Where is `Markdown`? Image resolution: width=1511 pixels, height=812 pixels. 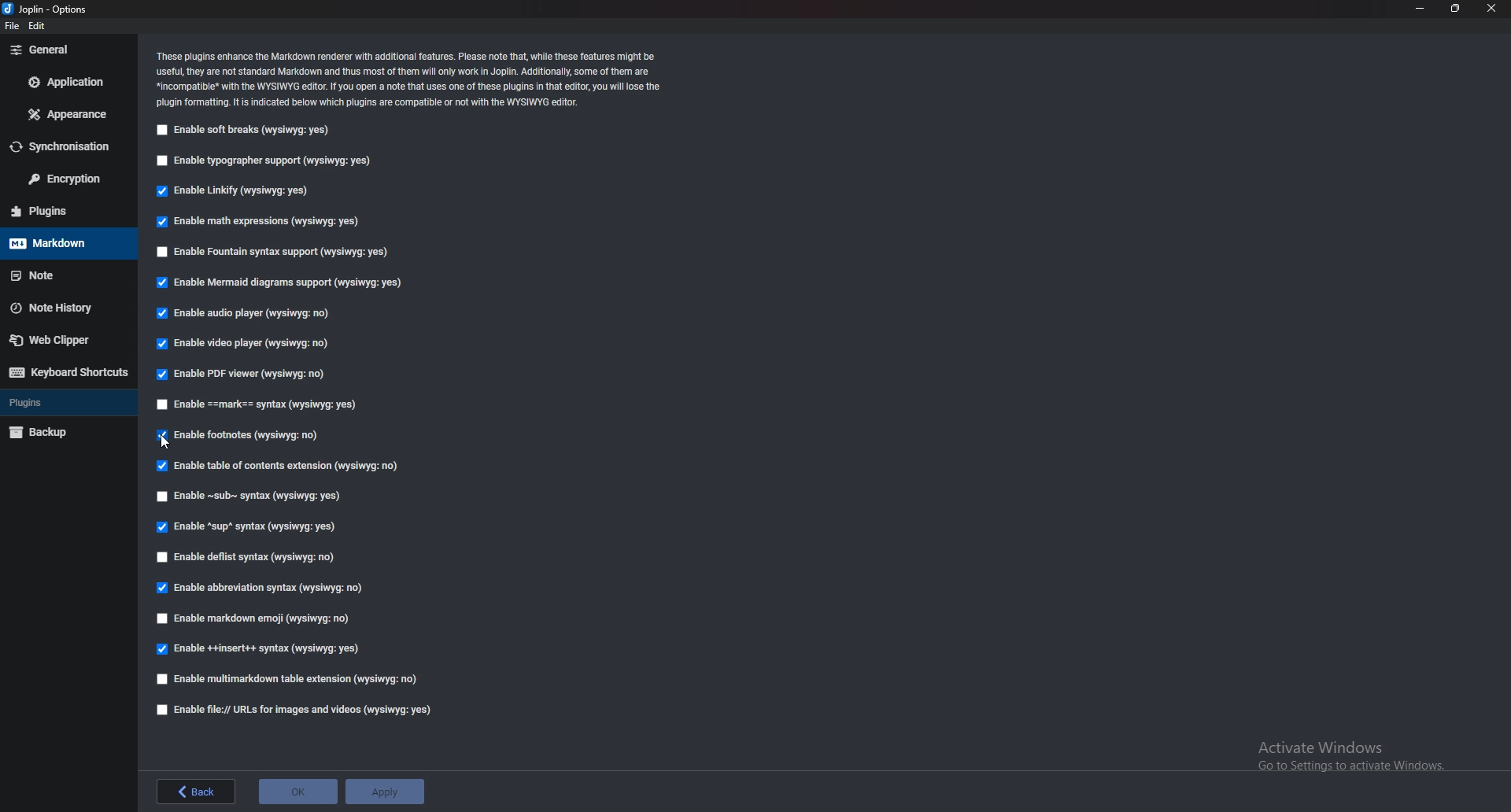 Markdown is located at coordinates (63, 242).